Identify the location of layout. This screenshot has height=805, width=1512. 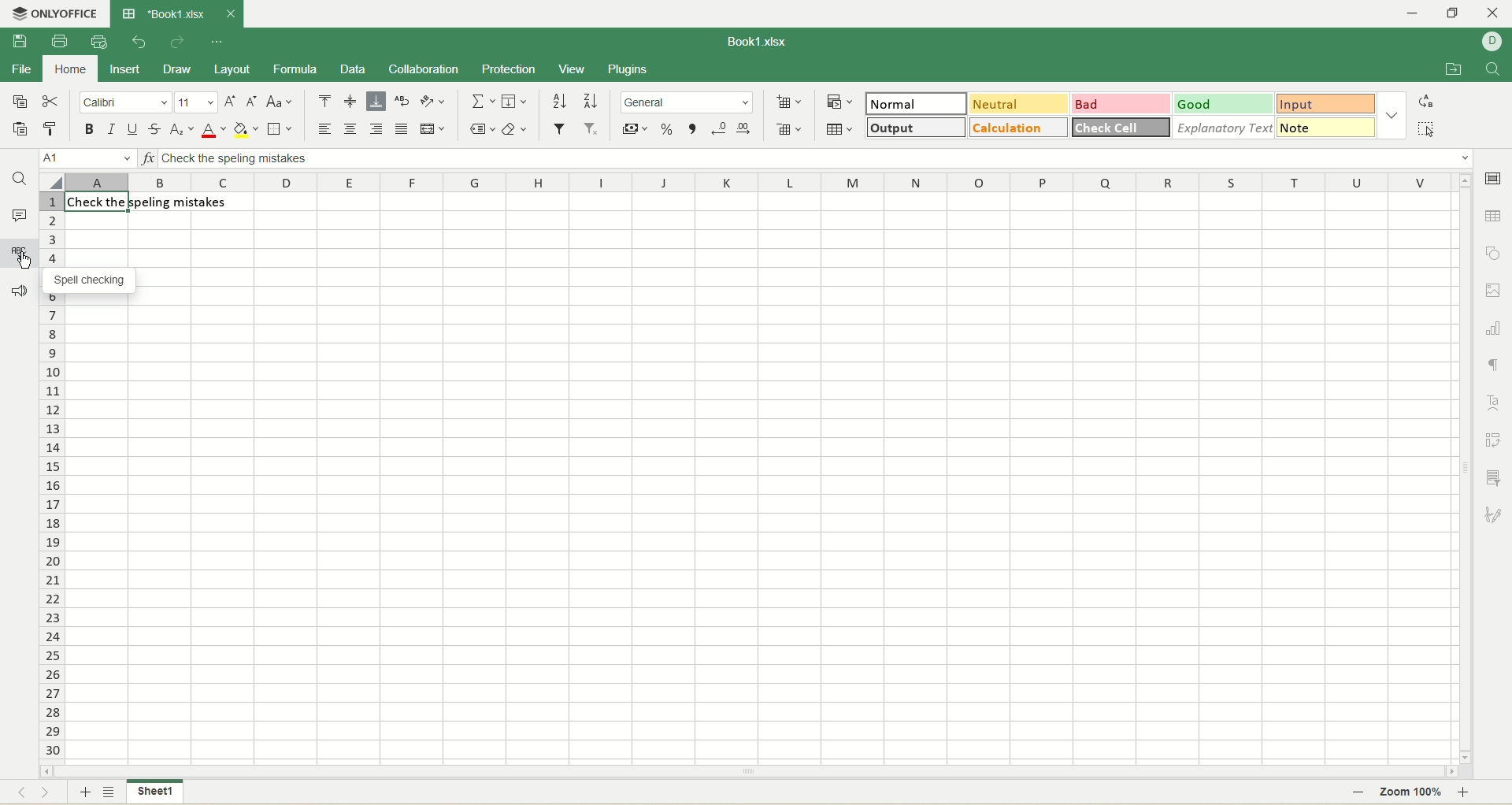
(230, 69).